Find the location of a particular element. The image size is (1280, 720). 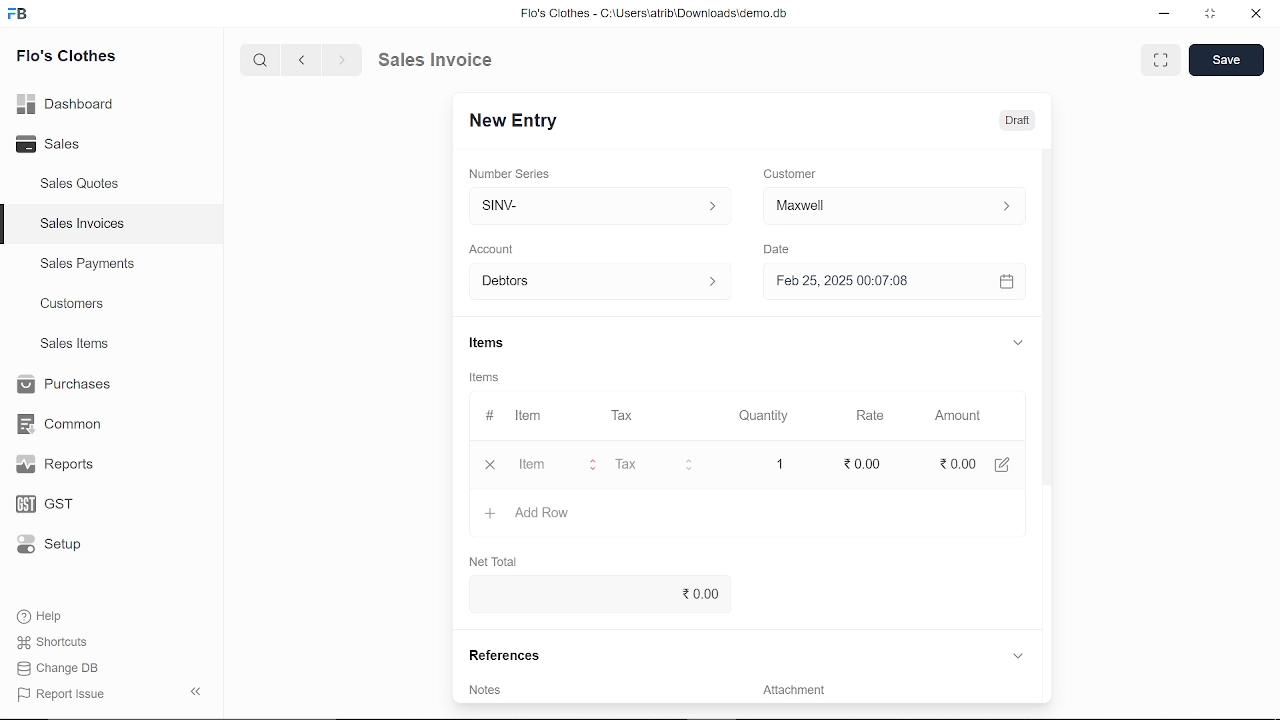

‘Number Series is located at coordinates (510, 173).